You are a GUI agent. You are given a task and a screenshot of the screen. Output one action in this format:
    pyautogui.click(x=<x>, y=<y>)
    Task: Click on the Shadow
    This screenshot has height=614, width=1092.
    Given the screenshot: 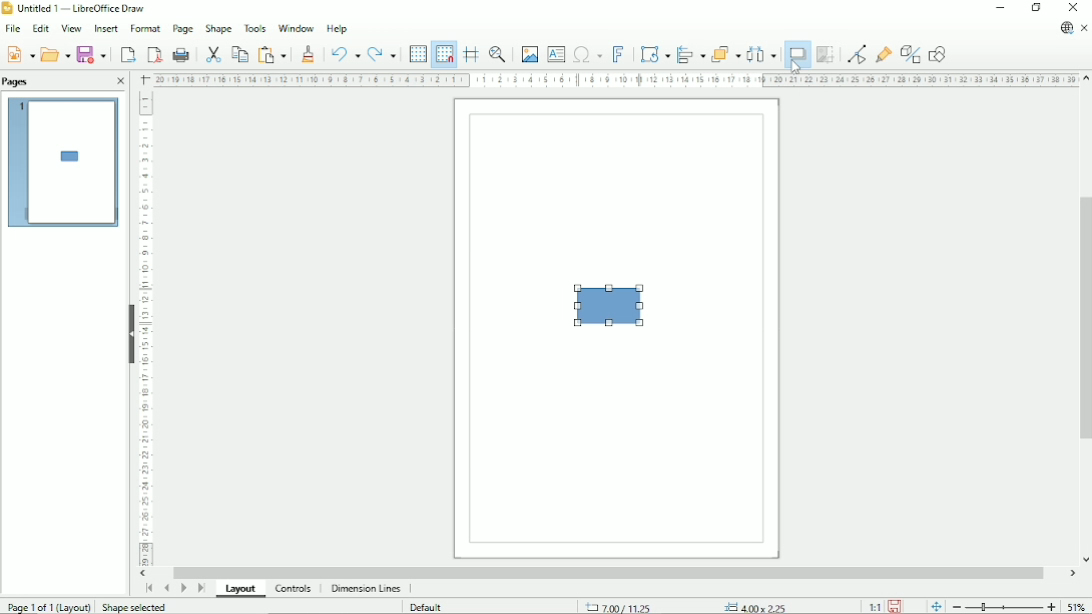 What is the action you would take?
    pyautogui.click(x=797, y=55)
    